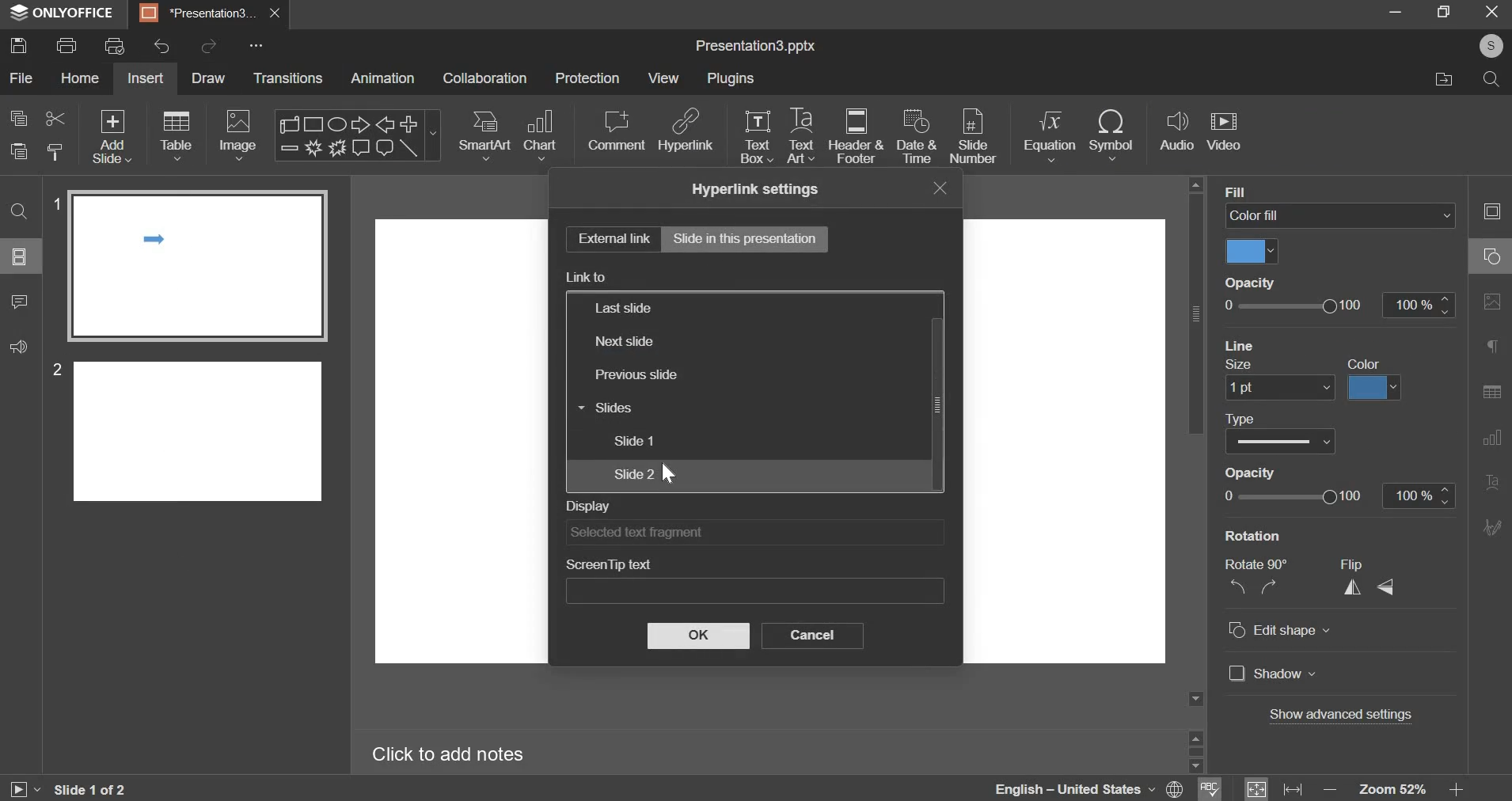 This screenshot has width=1512, height=801. I want to click on view, so click(663, 79).